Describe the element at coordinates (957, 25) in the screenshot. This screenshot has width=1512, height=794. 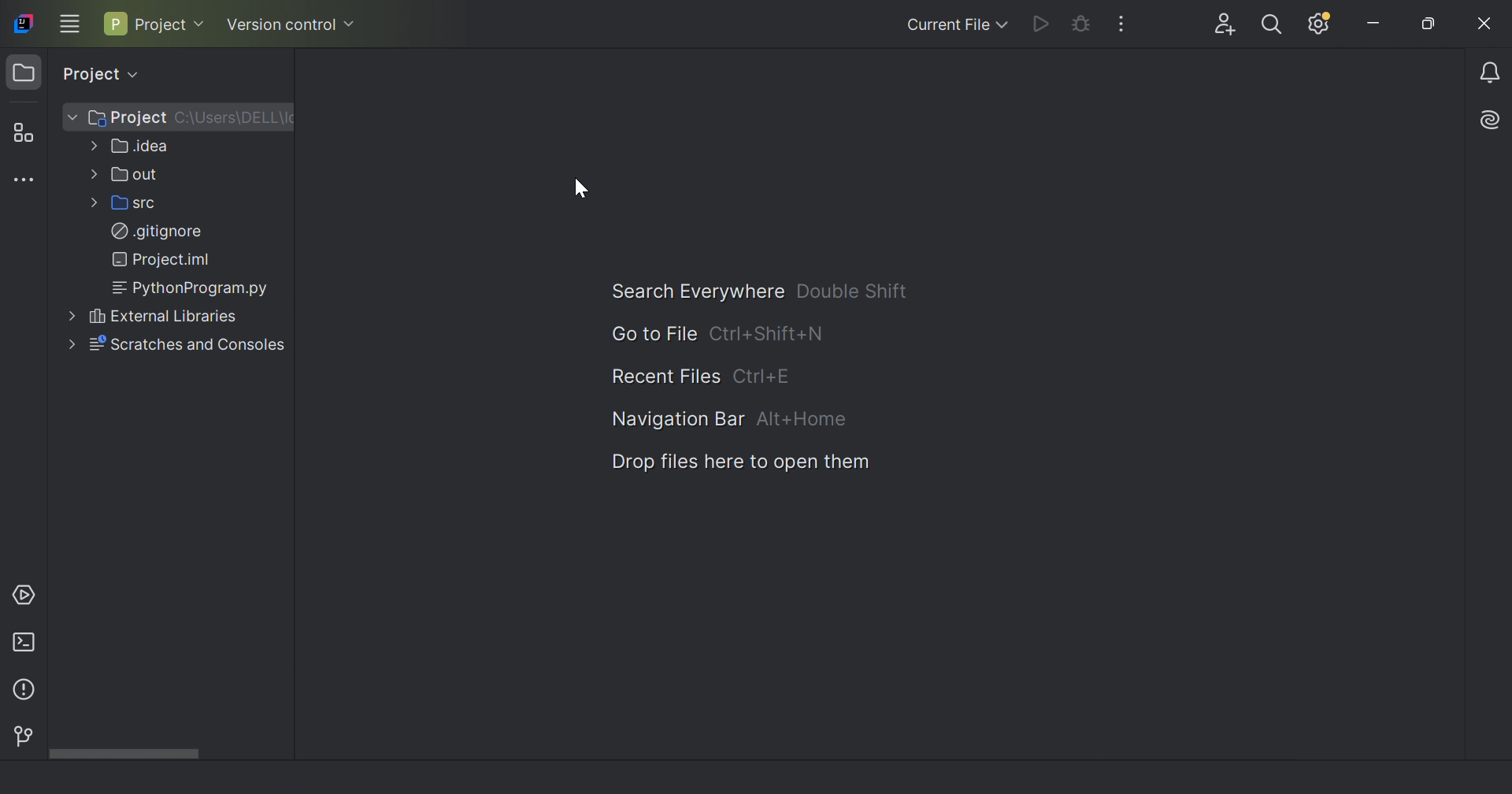
I see `Current file` at that location.